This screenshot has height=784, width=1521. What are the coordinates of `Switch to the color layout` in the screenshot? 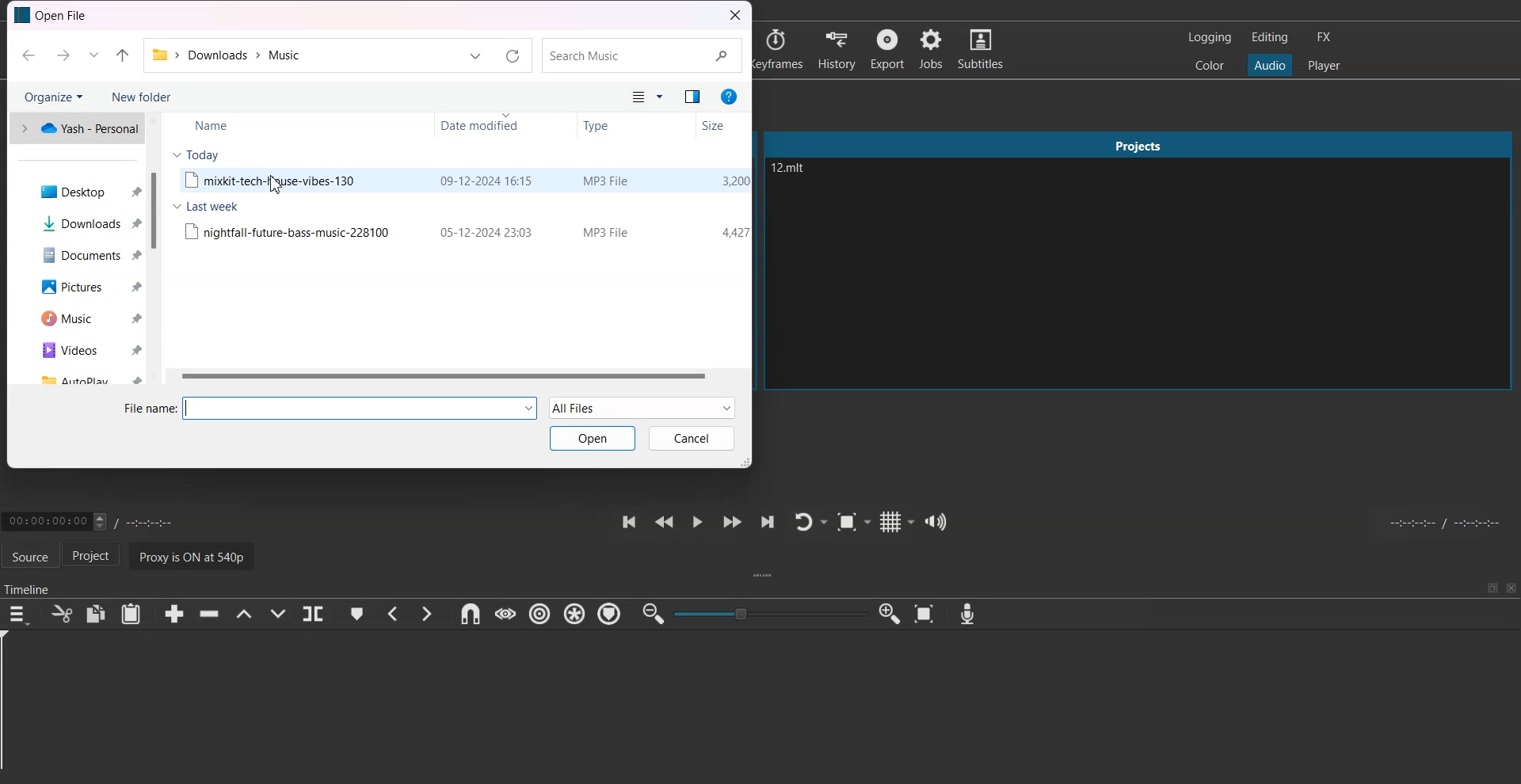 It's located at (1211, 66).